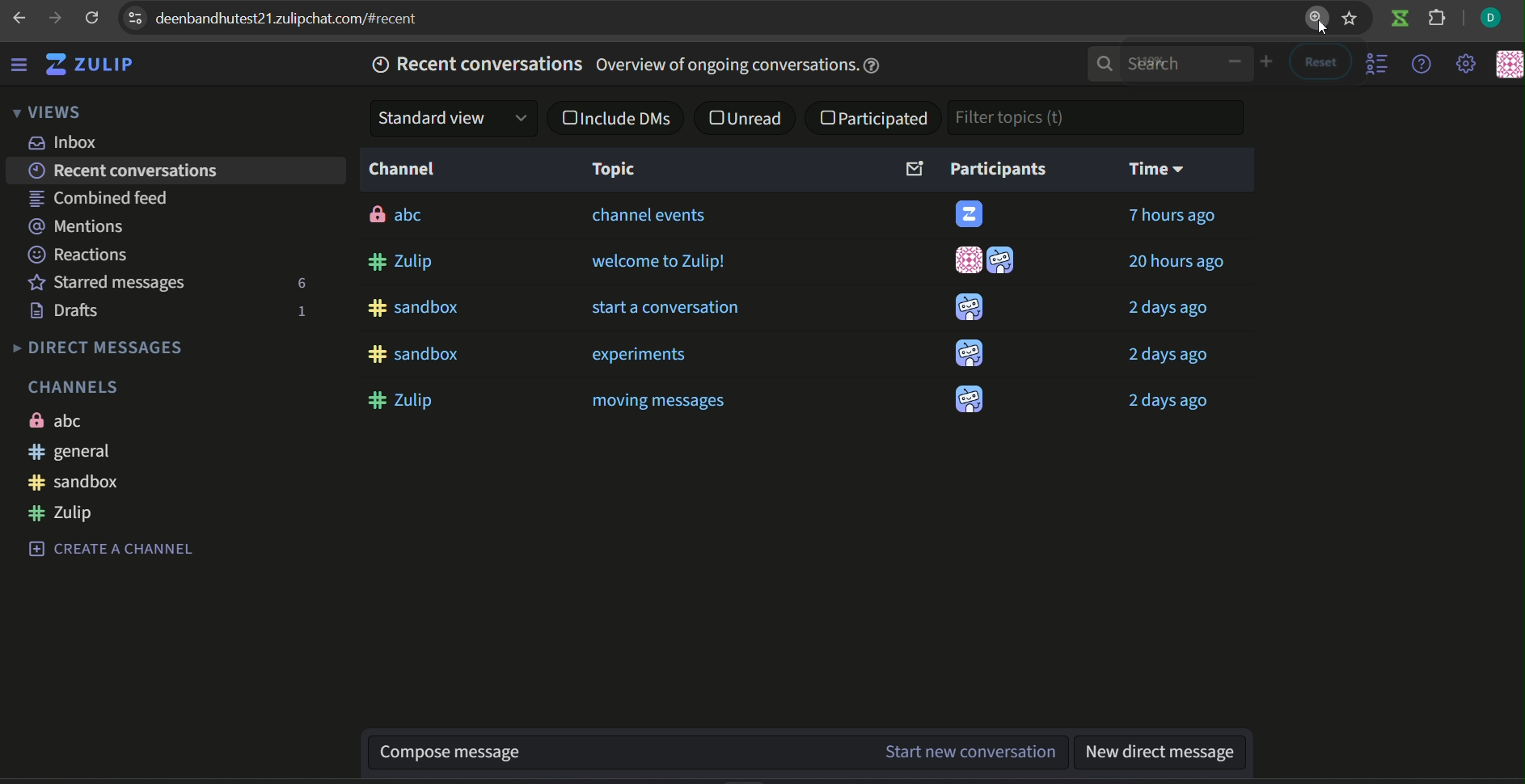  Describe the element at coordinates (301, 19) in the screenshot. I see `browser` at that location.